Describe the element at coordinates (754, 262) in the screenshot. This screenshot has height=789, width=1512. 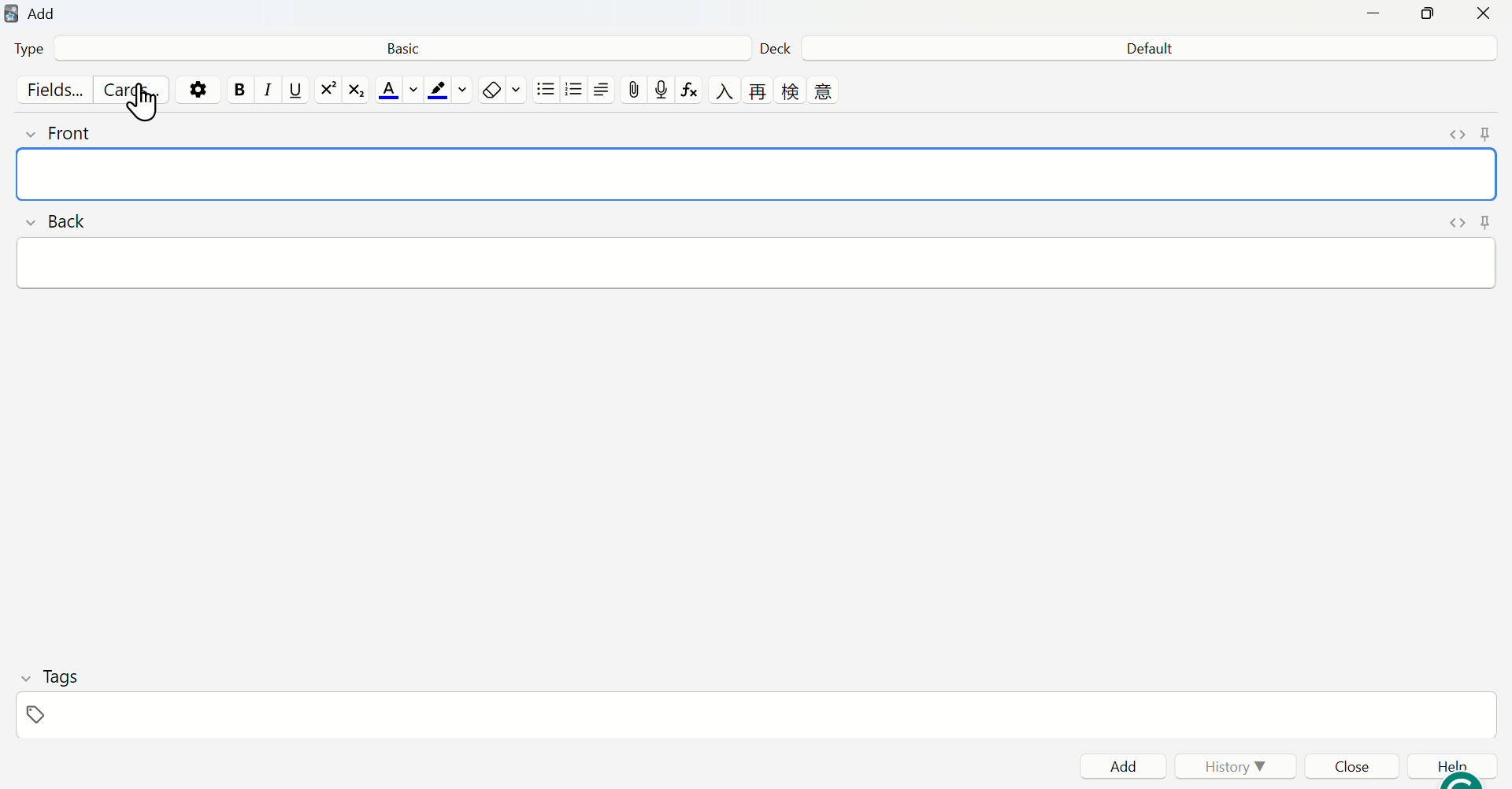
I see `Back` at that location.